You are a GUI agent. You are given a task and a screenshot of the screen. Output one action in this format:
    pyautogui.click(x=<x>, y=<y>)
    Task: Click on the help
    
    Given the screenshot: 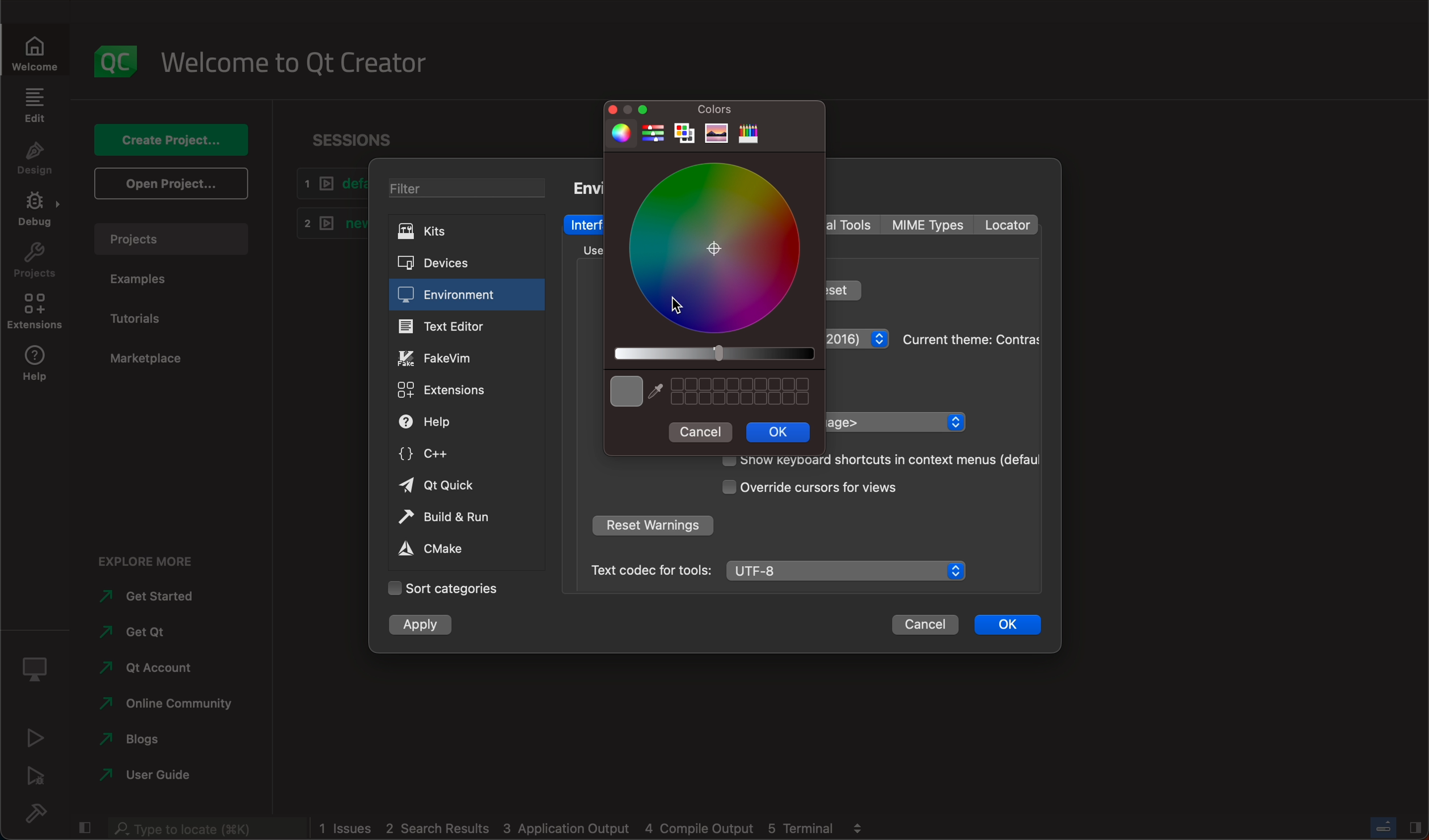 What is the action you would take?
    pyautogui.click(x=37, y=368)
    